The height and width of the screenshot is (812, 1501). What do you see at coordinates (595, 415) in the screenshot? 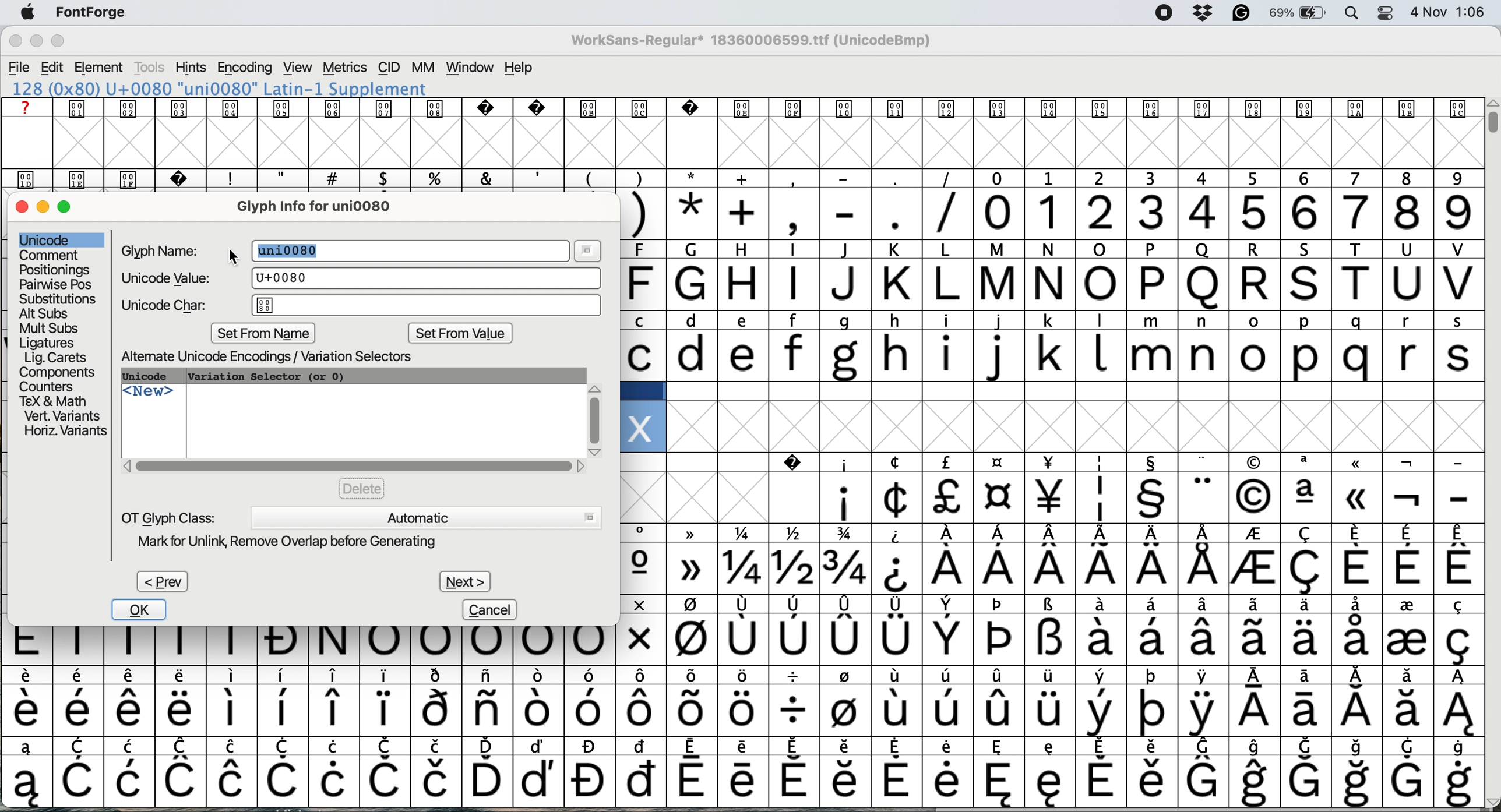
I see `vertical scroll bar` at bounding box center [595, 415].